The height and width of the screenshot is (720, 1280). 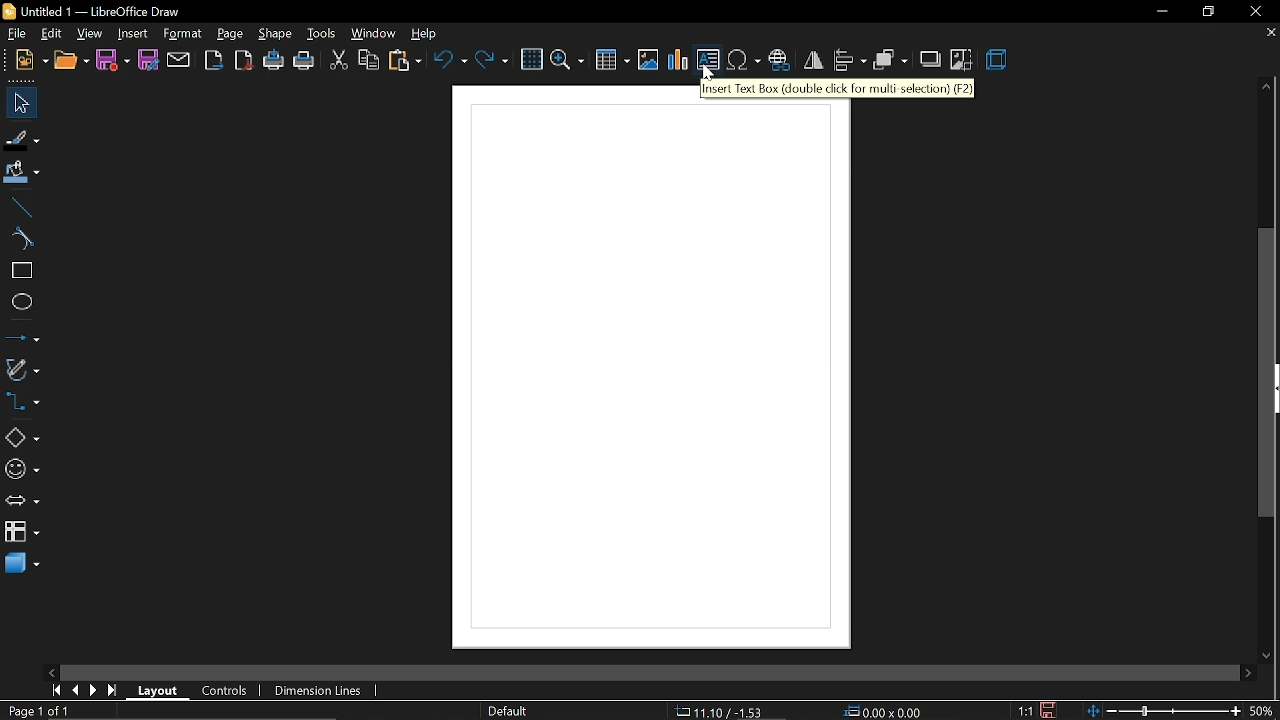 I want to click on co-ordinate, so click(x=721, y=711).